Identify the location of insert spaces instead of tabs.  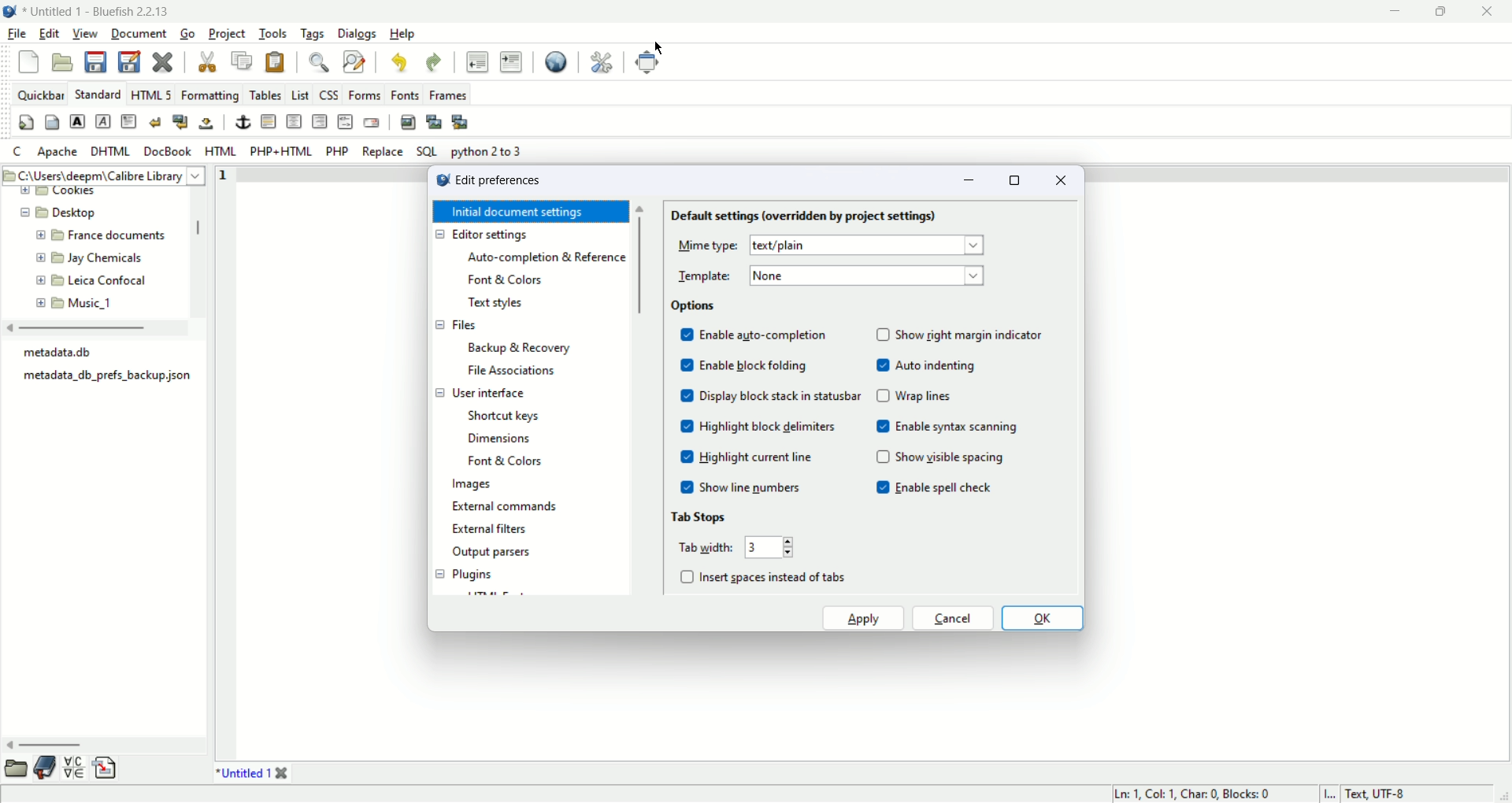
(780, 576).